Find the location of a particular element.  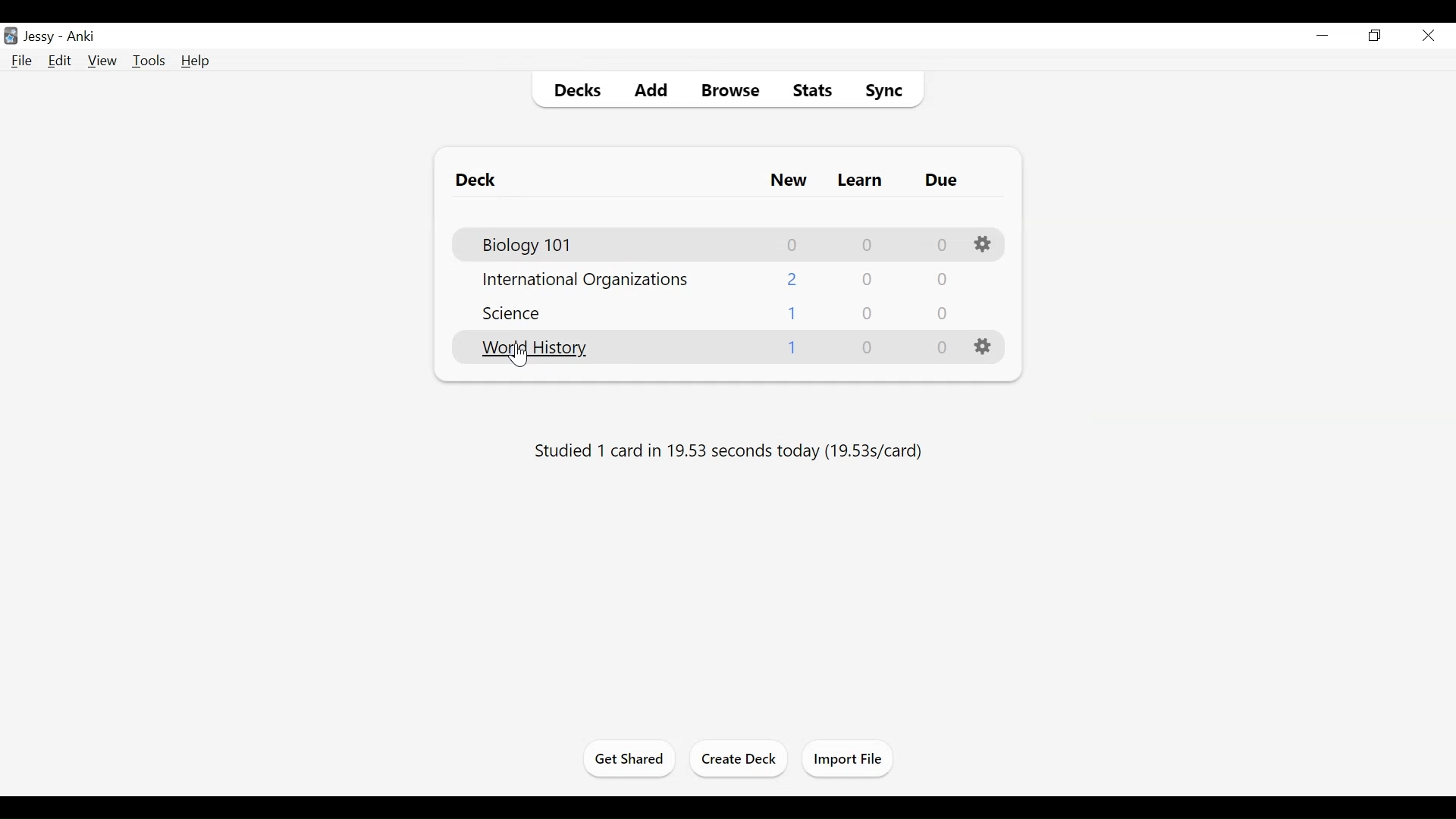

Get Share is located at coordinates (625, 759).